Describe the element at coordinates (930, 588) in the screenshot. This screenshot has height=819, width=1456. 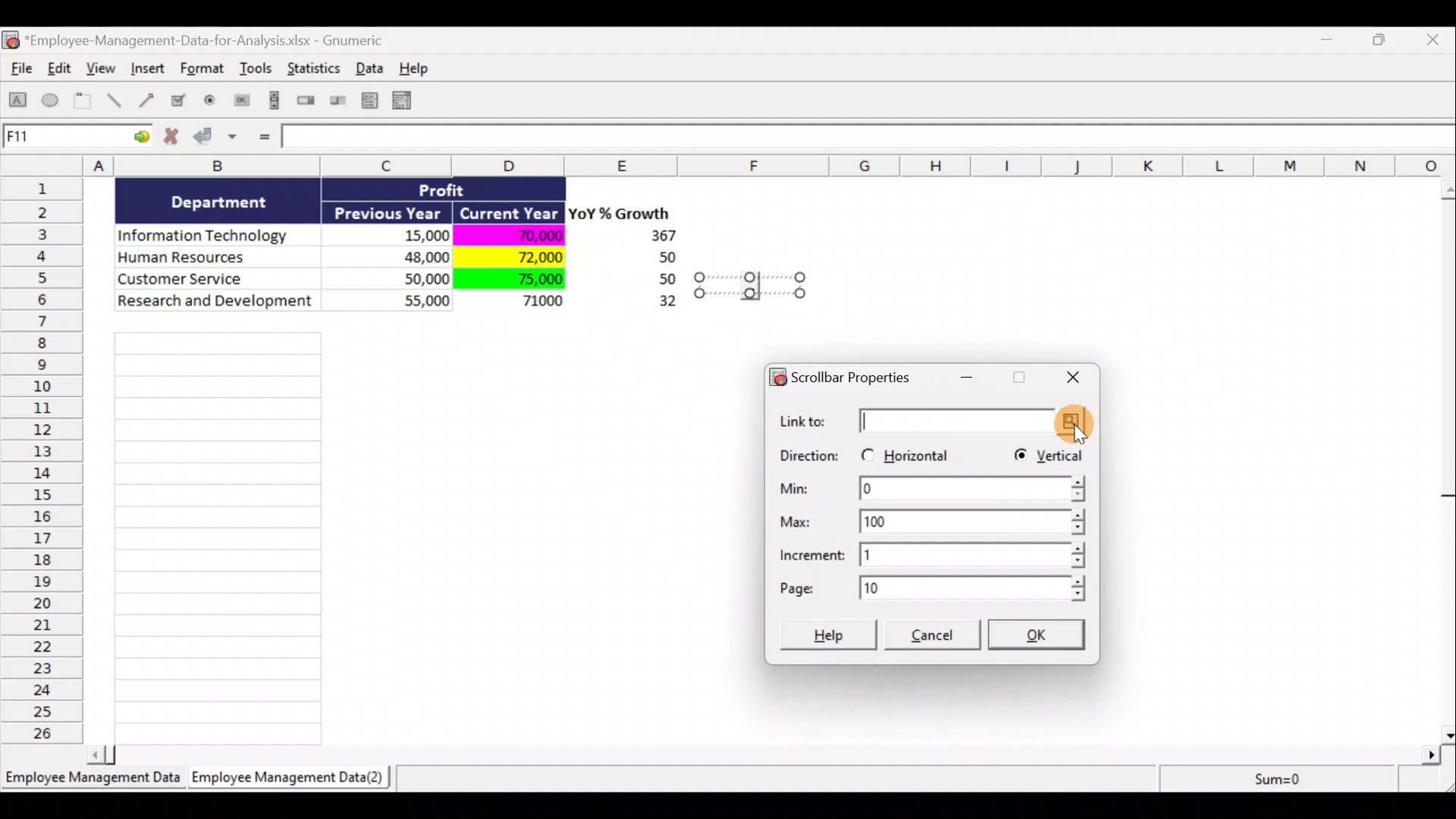
I see `Page` at that location.